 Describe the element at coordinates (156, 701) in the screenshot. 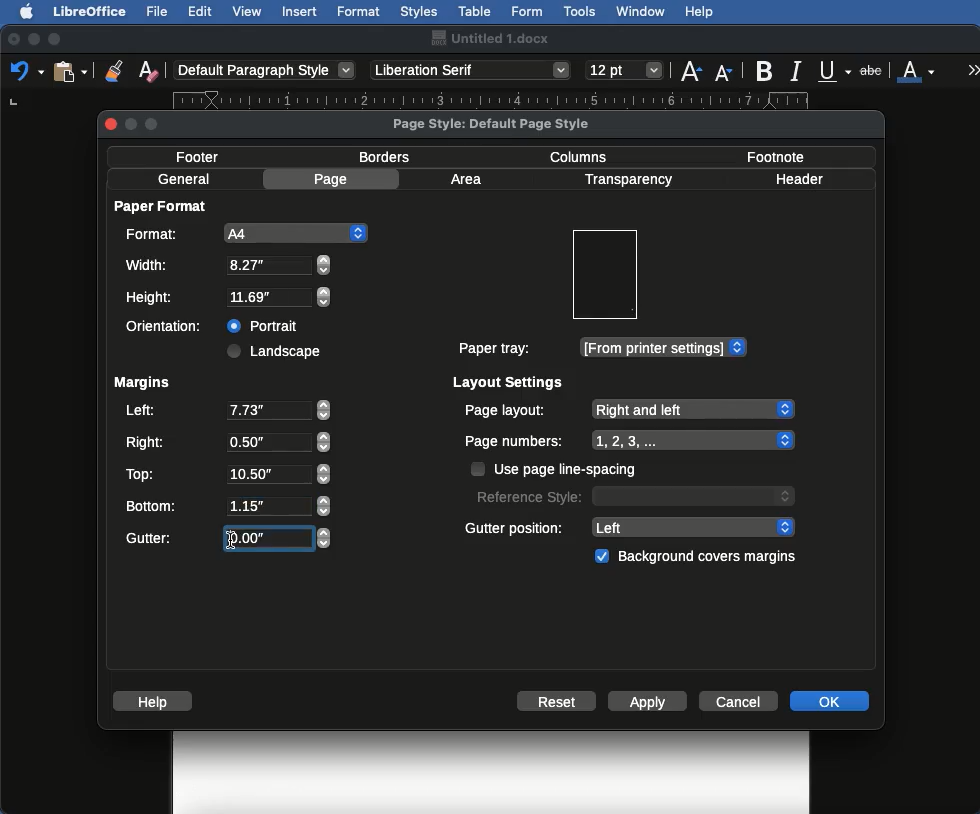

I see `Help` at that location.